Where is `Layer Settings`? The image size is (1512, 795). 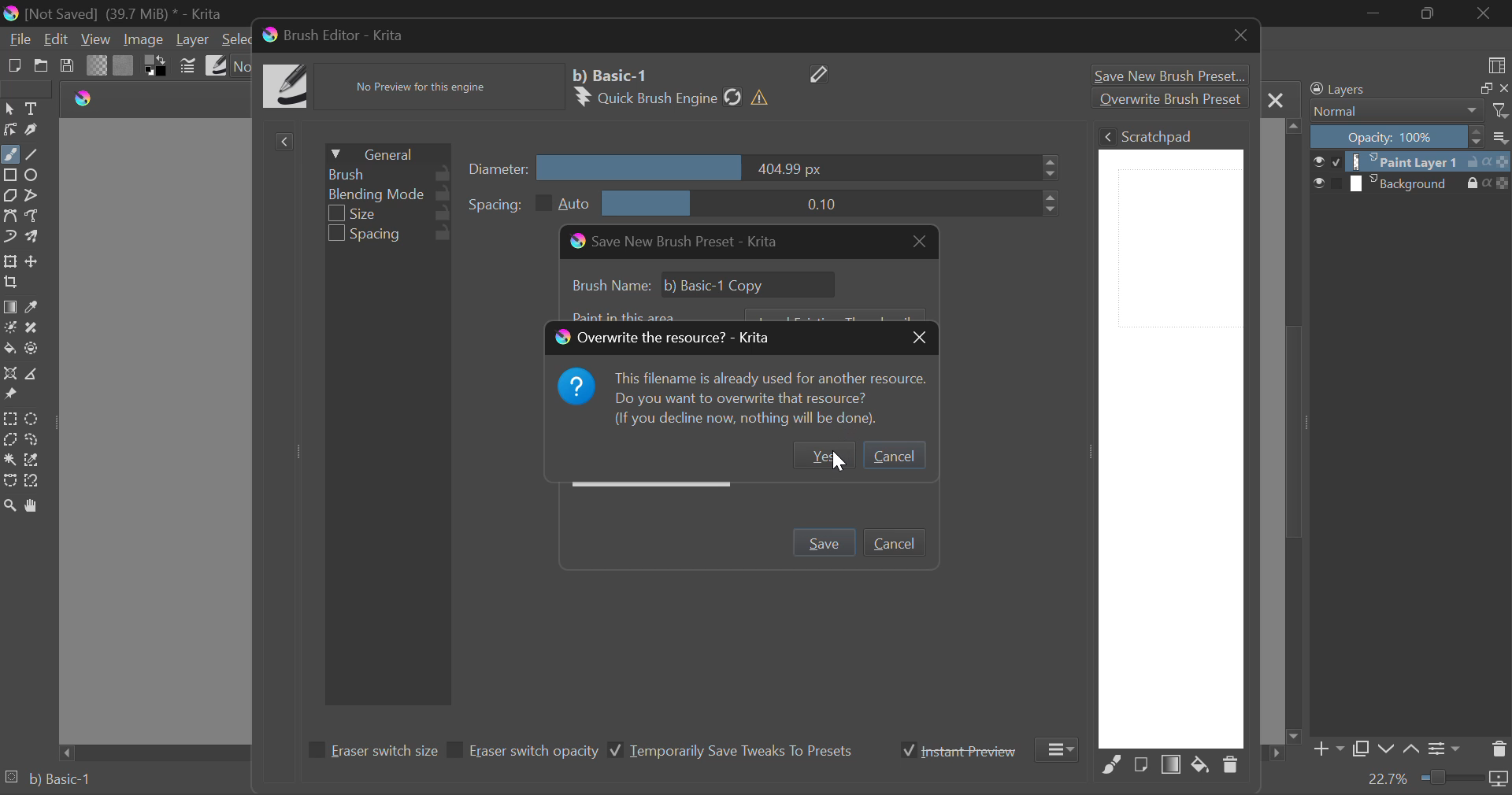 Layer Settings is located at coordinates (1446, 749).